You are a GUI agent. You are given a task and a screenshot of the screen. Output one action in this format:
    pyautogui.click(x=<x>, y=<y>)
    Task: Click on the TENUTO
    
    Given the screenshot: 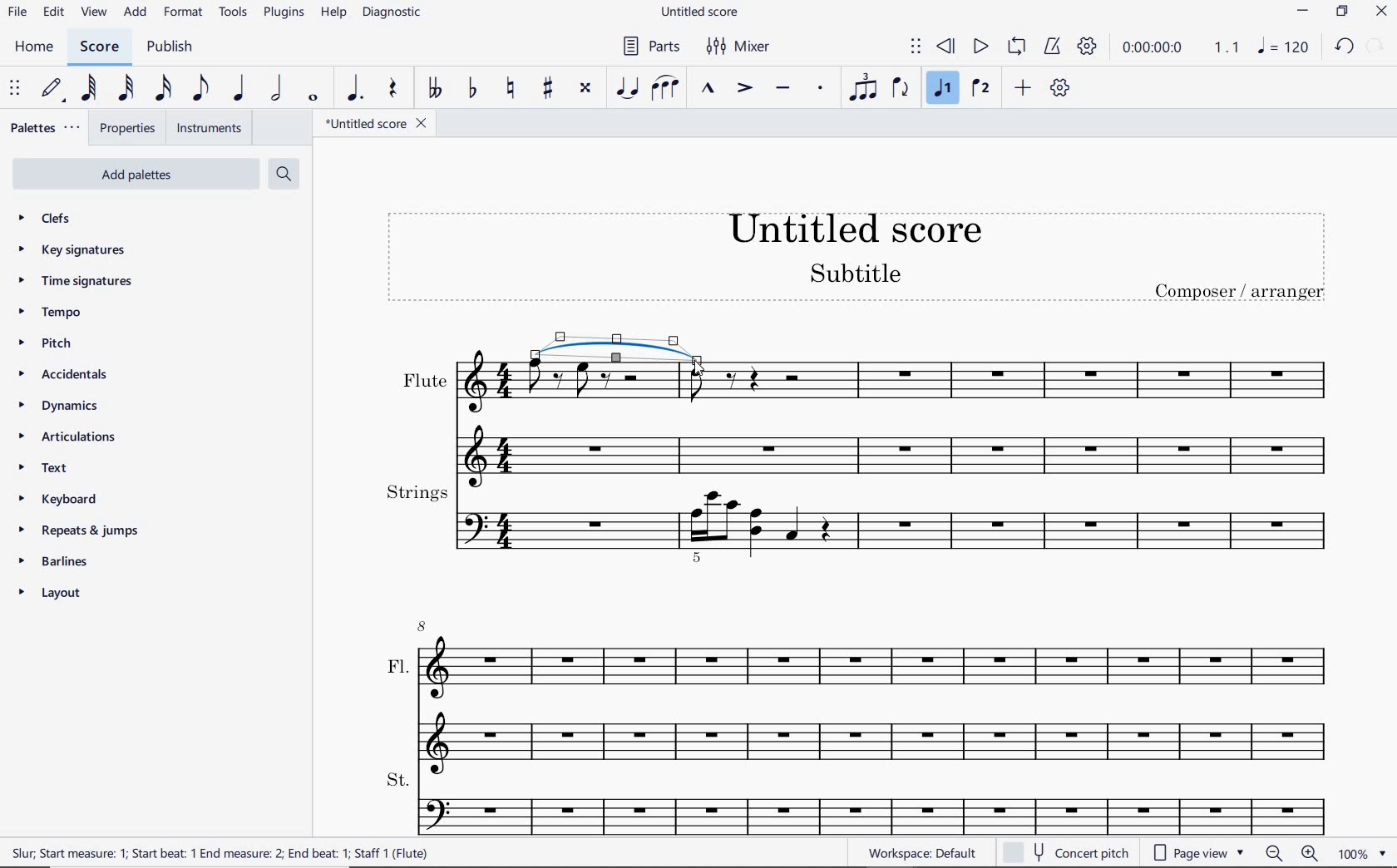 What is the action you would take?
    pyautogui.click(x=782, y=89)
    